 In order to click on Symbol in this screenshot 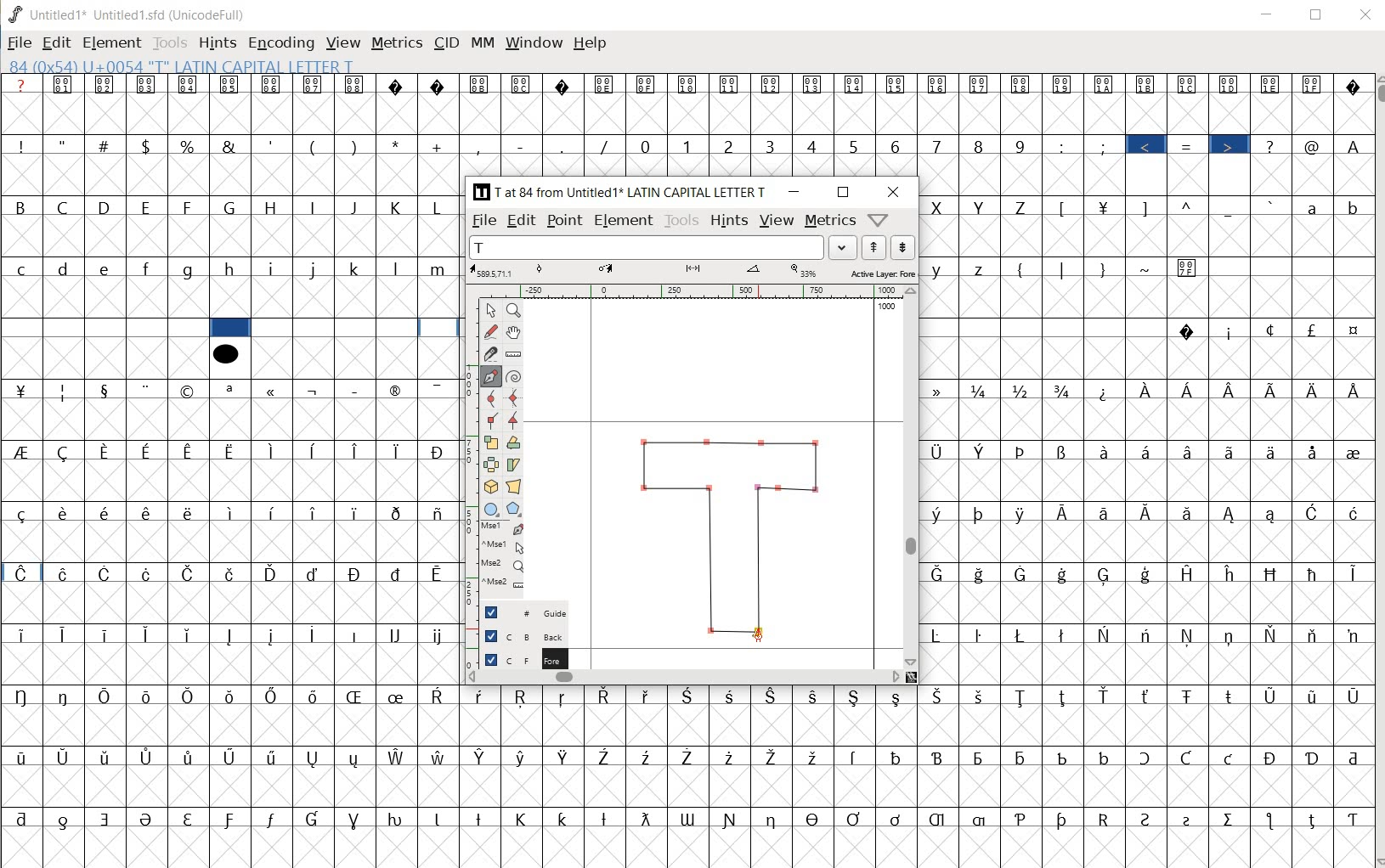, I will do `click(187, 84)`.